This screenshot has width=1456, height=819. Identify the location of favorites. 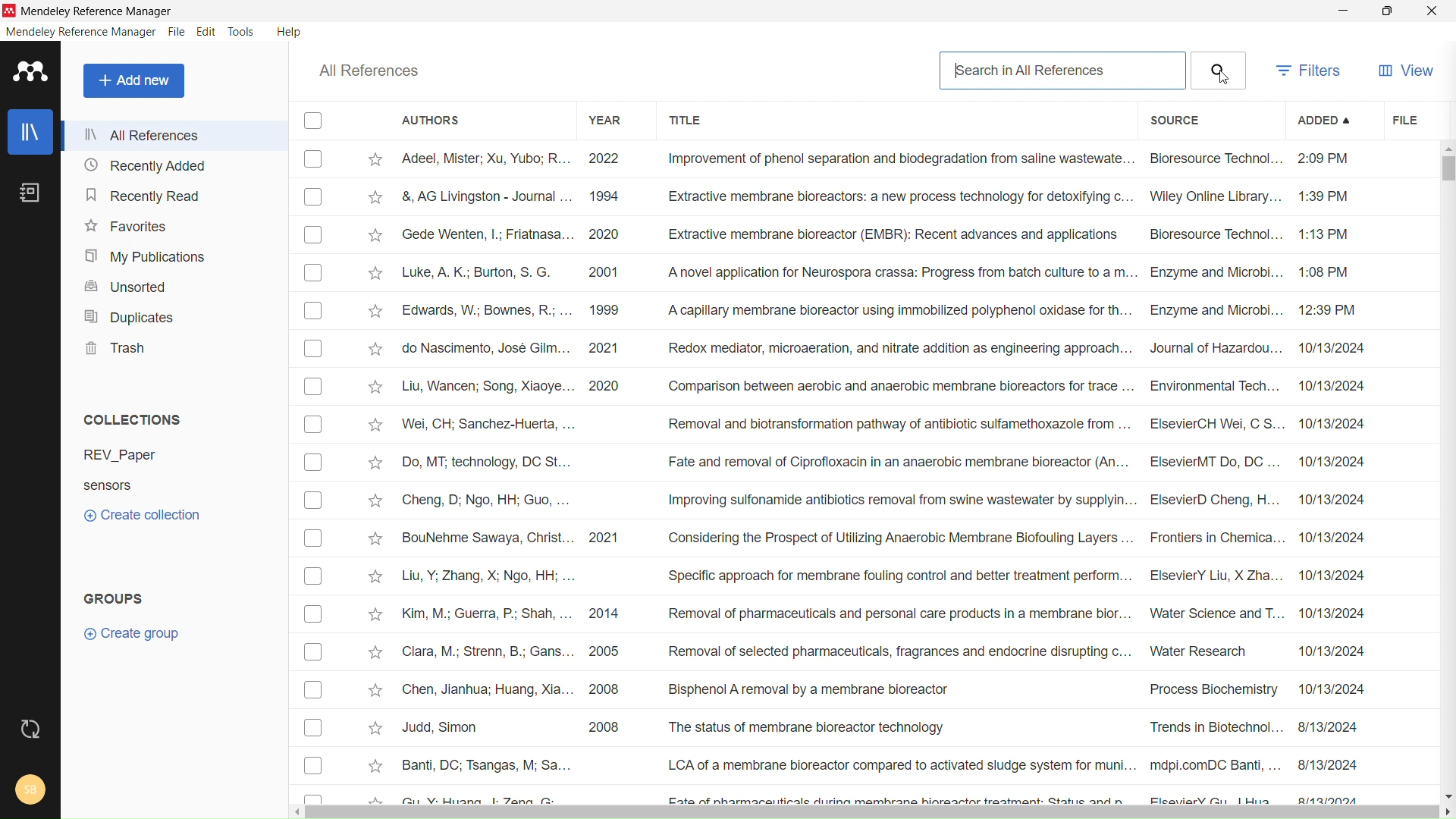
(175, 224).